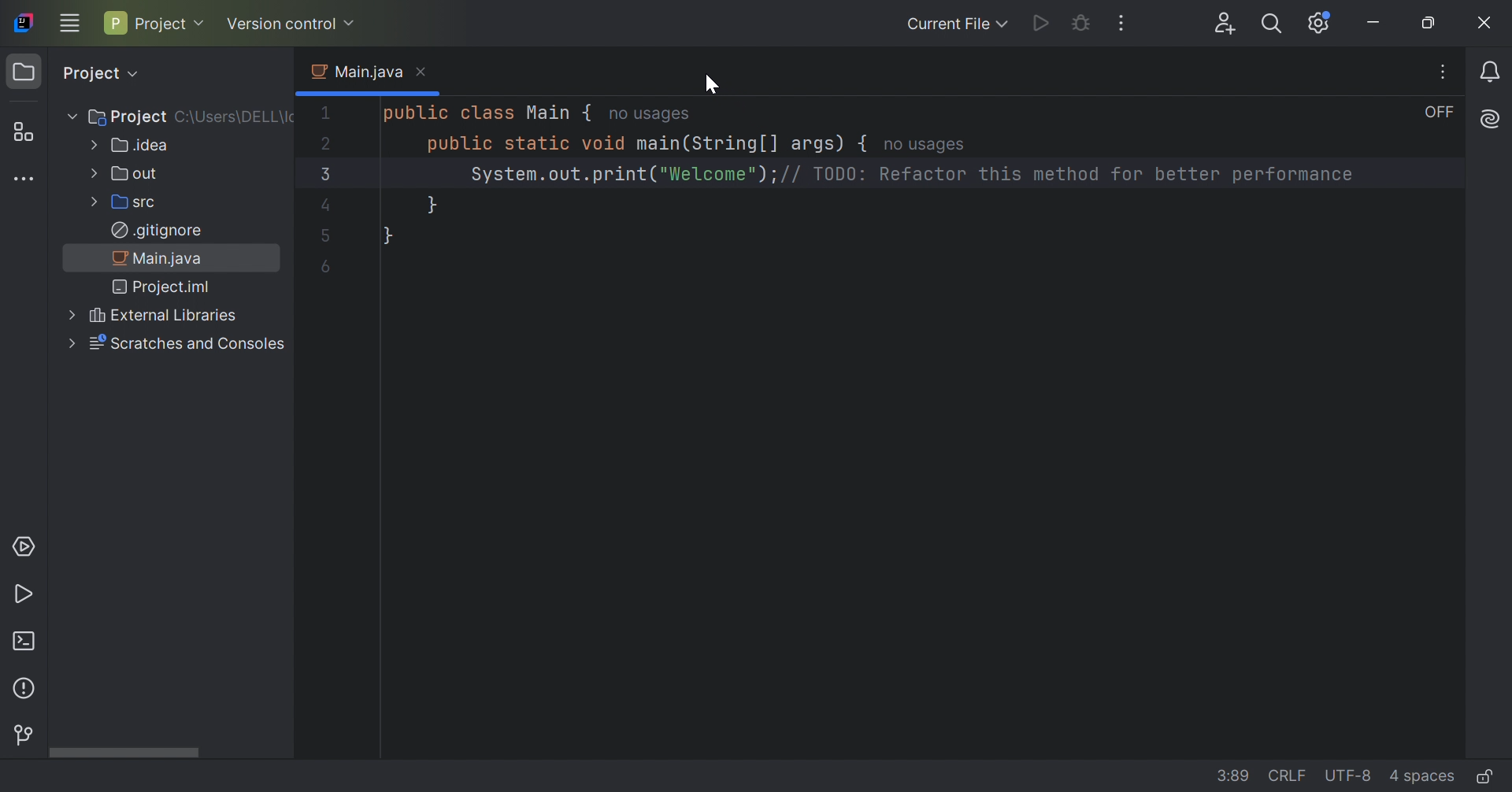  What do you see at coordinates (354, 72) in the screenshot?
I see `Main.java` at bounding box center [354, 72].